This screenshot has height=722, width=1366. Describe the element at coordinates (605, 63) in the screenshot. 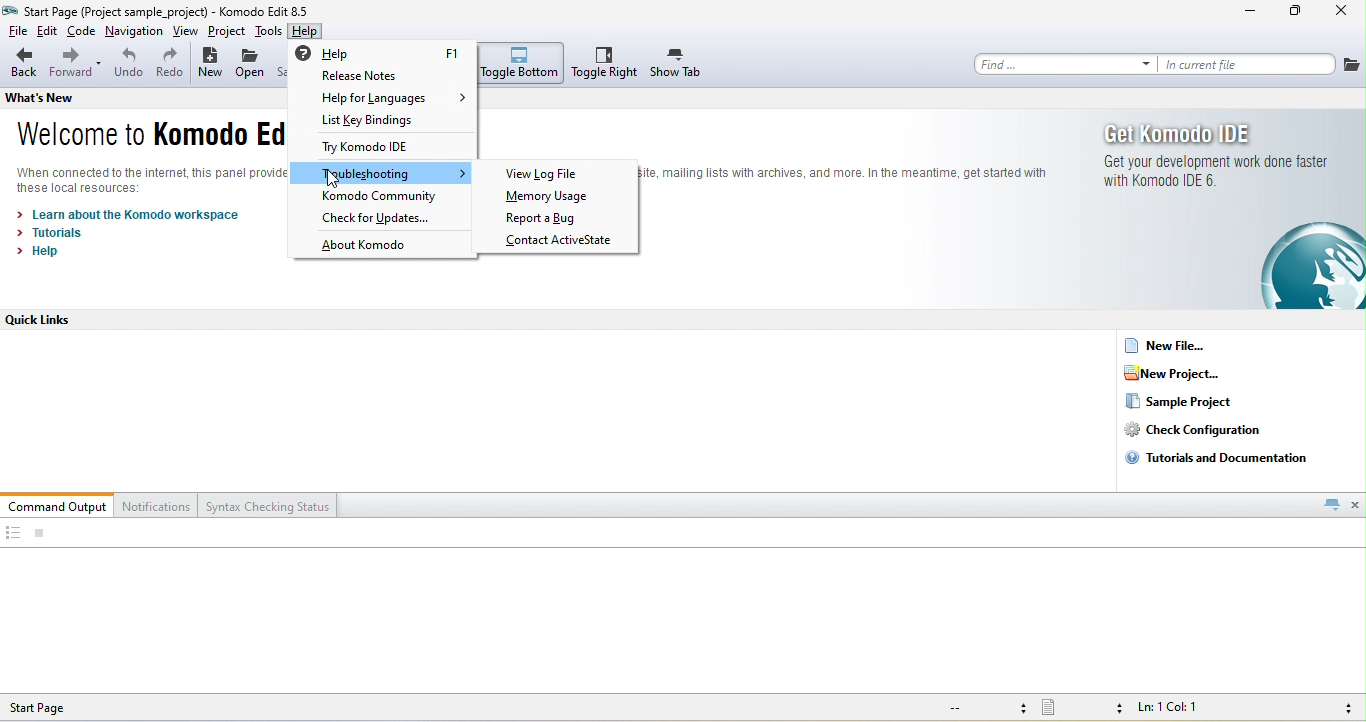

I see `toggle right` at that location.